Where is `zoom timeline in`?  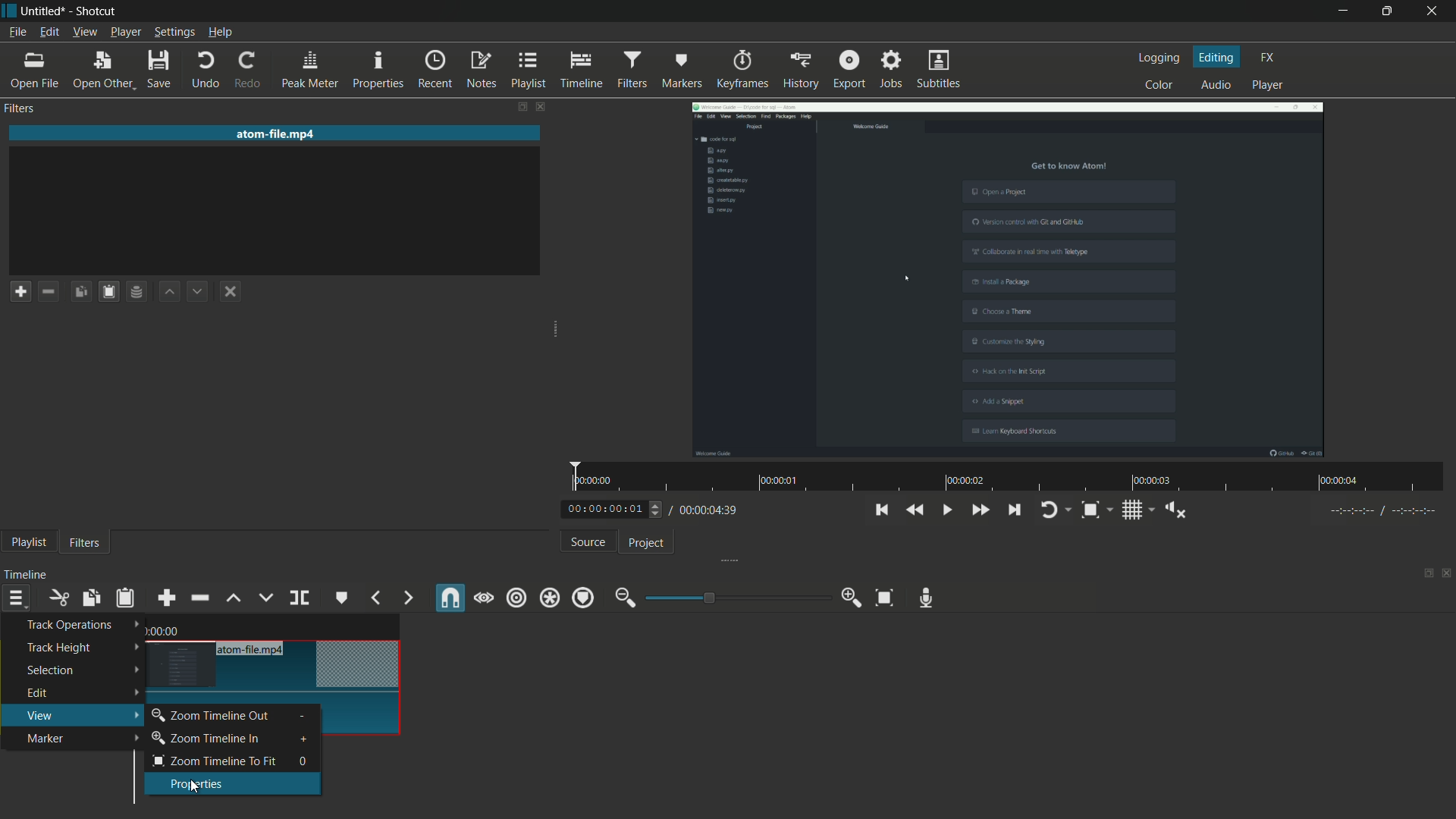 zoom timeline in is located at coordinates (212, 740).